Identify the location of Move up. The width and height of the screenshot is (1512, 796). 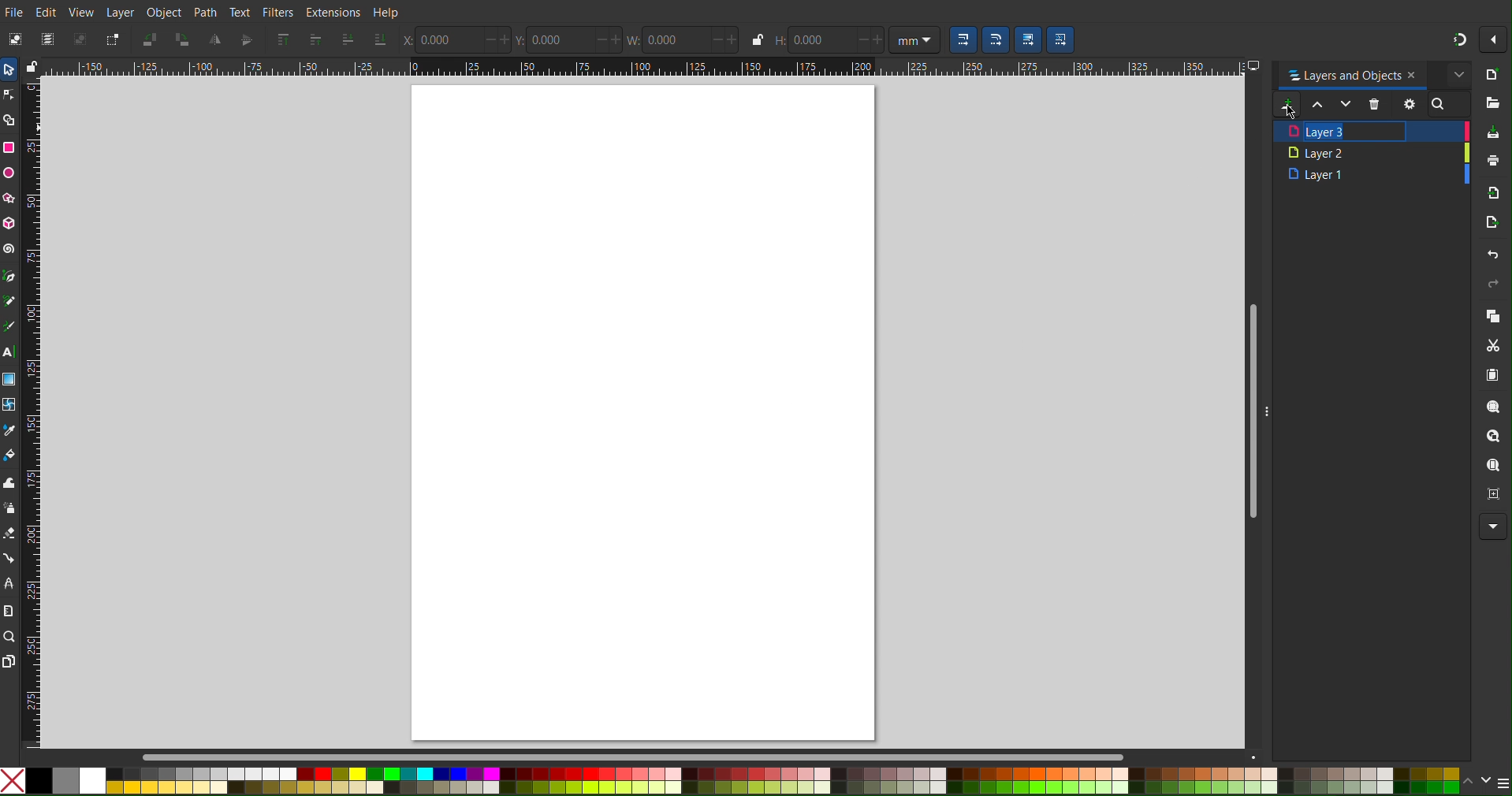
(1319, 106).